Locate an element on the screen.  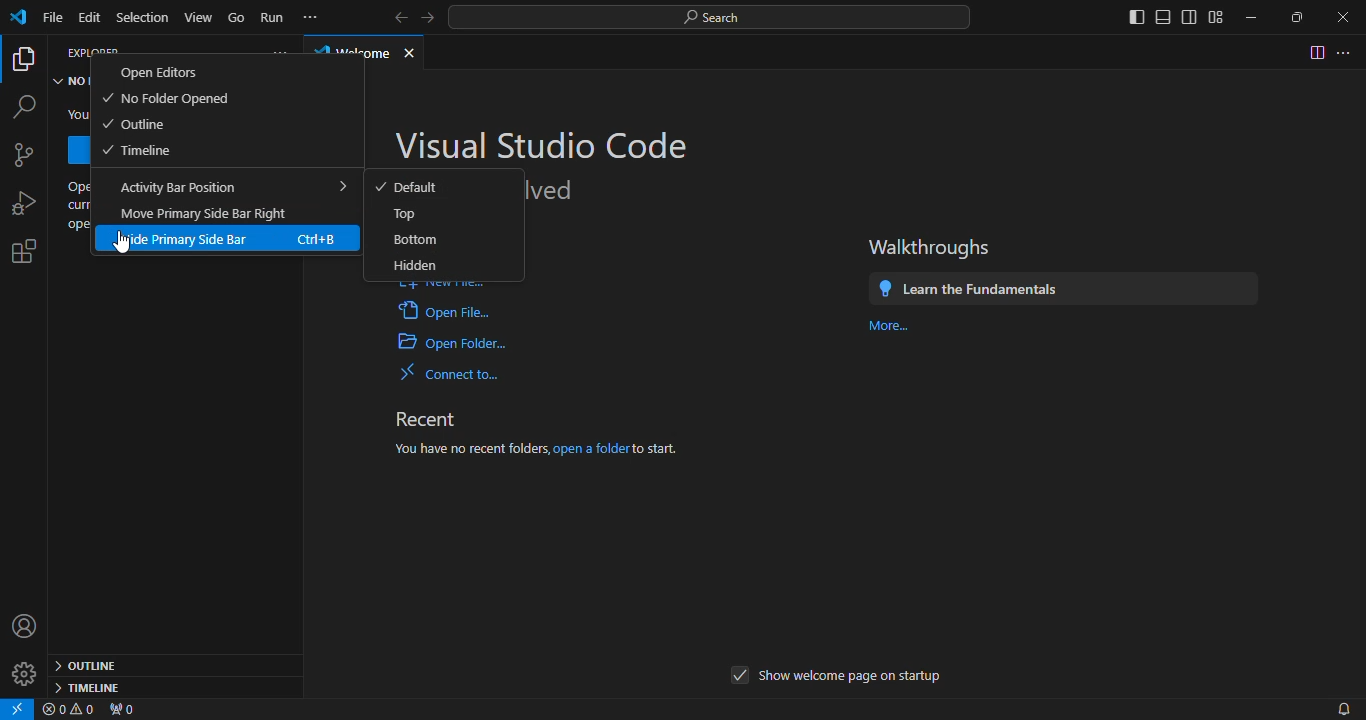
close is located at coordinates (417, 49).